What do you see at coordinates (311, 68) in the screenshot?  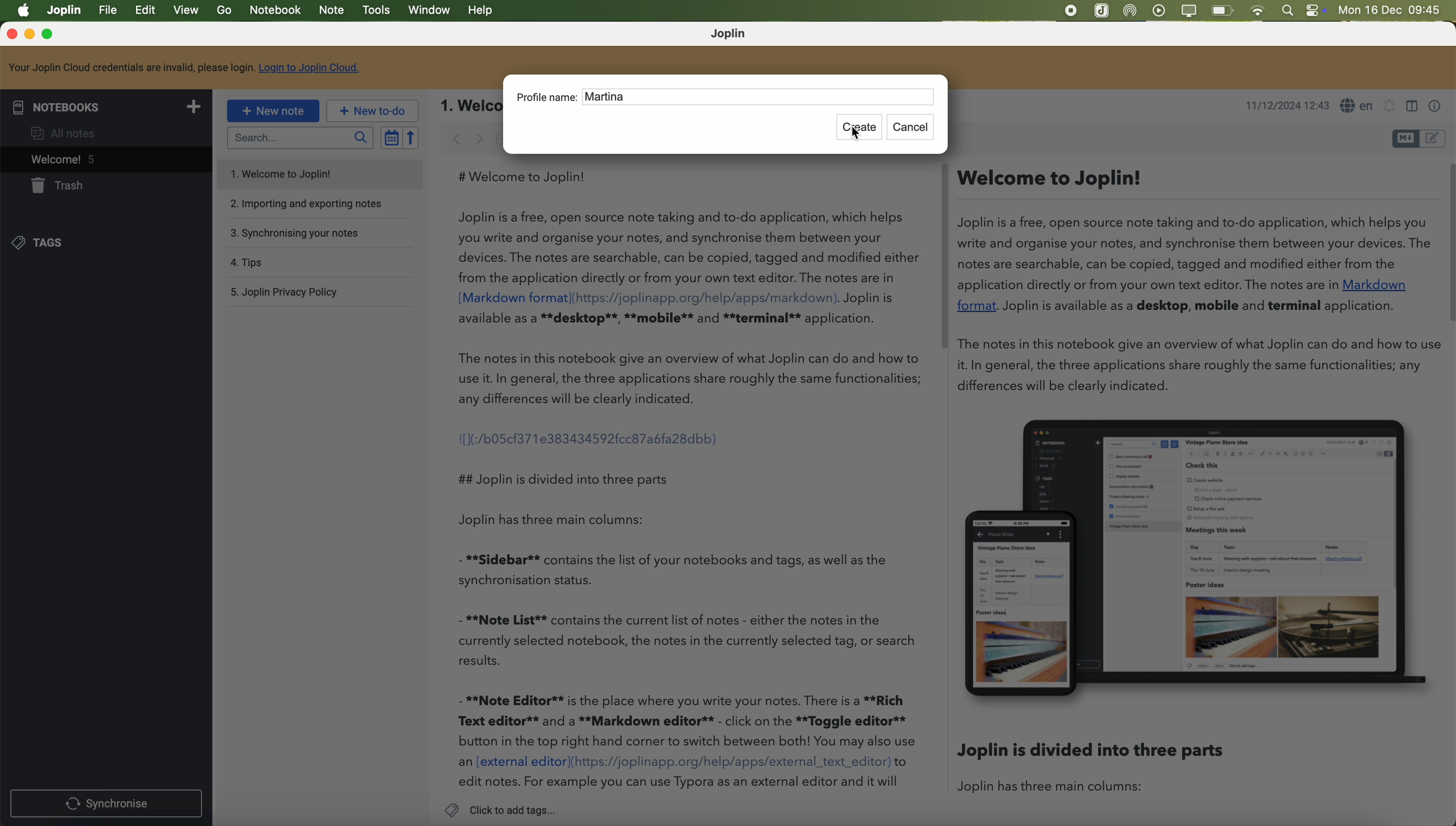 I see `Login to Joplin Cloud.` at bounding box center [311, 68].